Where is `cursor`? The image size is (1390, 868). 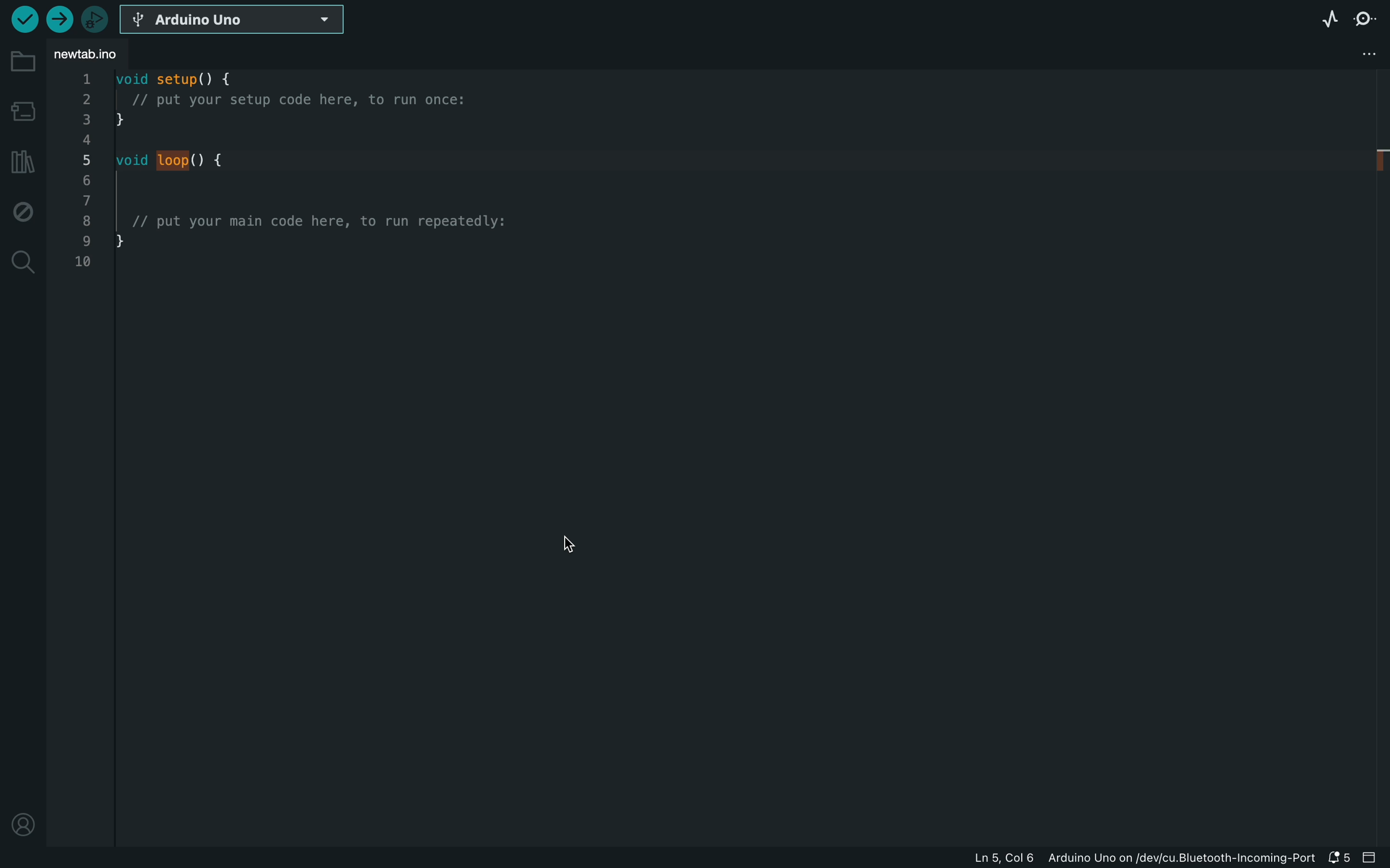 cursor is located at coordinates (582, 545).